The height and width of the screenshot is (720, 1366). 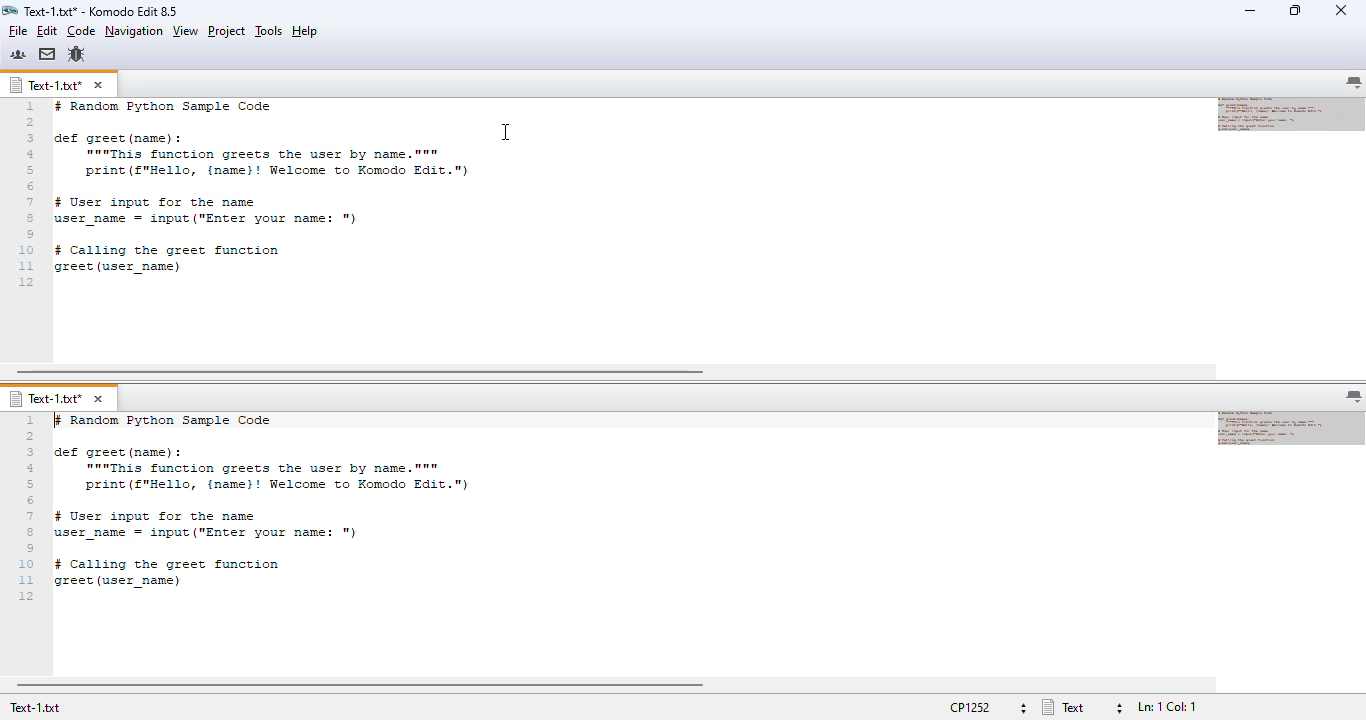 What do you see at coordinates (306, 31) in the screenshot?
I see `help` at bounding box center [306, 31].